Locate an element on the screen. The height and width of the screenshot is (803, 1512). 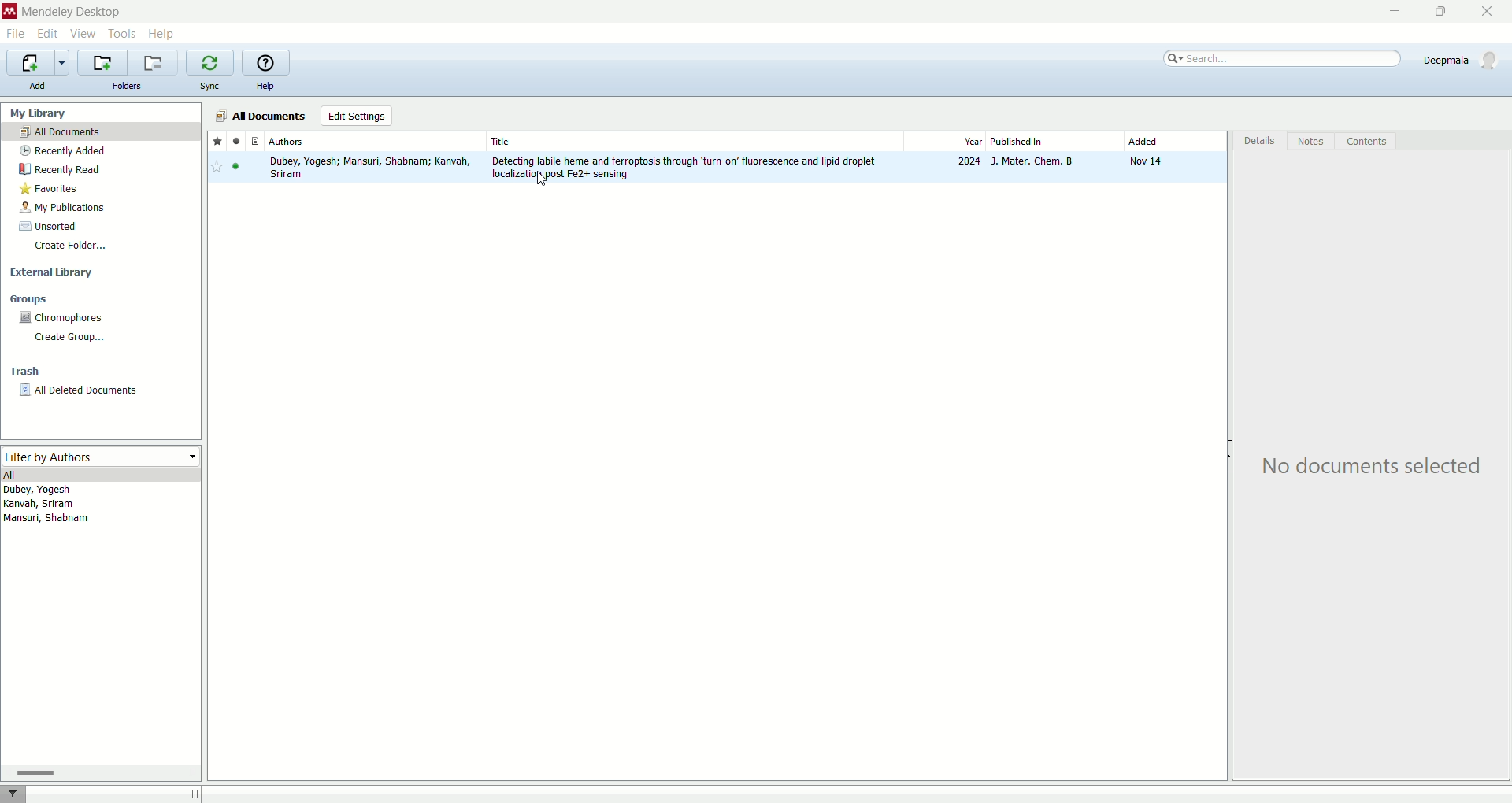
filter is located at coordinates (14, 794).